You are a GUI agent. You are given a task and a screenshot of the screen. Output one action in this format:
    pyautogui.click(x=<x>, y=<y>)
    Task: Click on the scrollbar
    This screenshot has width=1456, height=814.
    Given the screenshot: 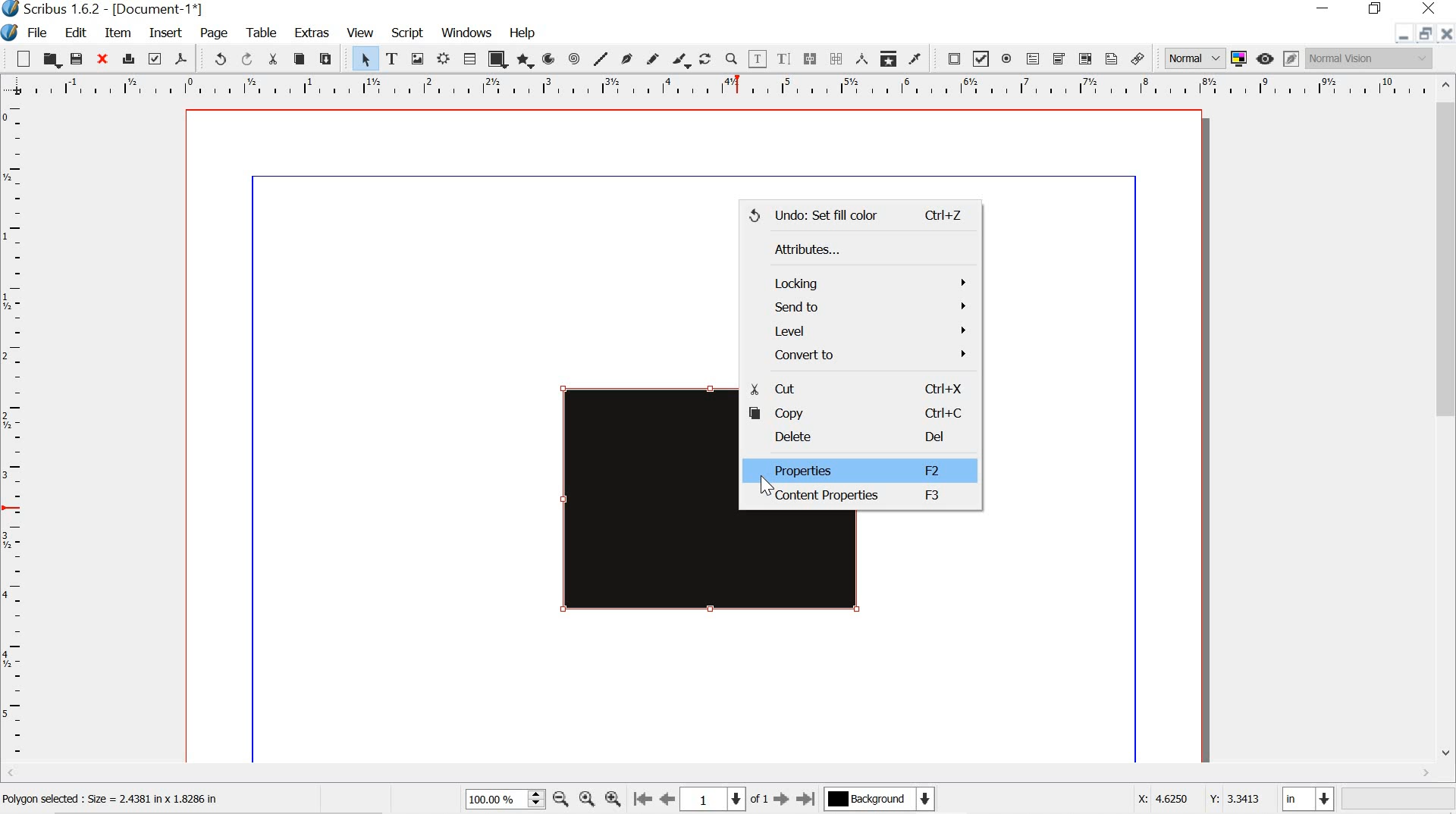 What is the action you would take?
    pyautogui.click(x=1447, y=428)
    